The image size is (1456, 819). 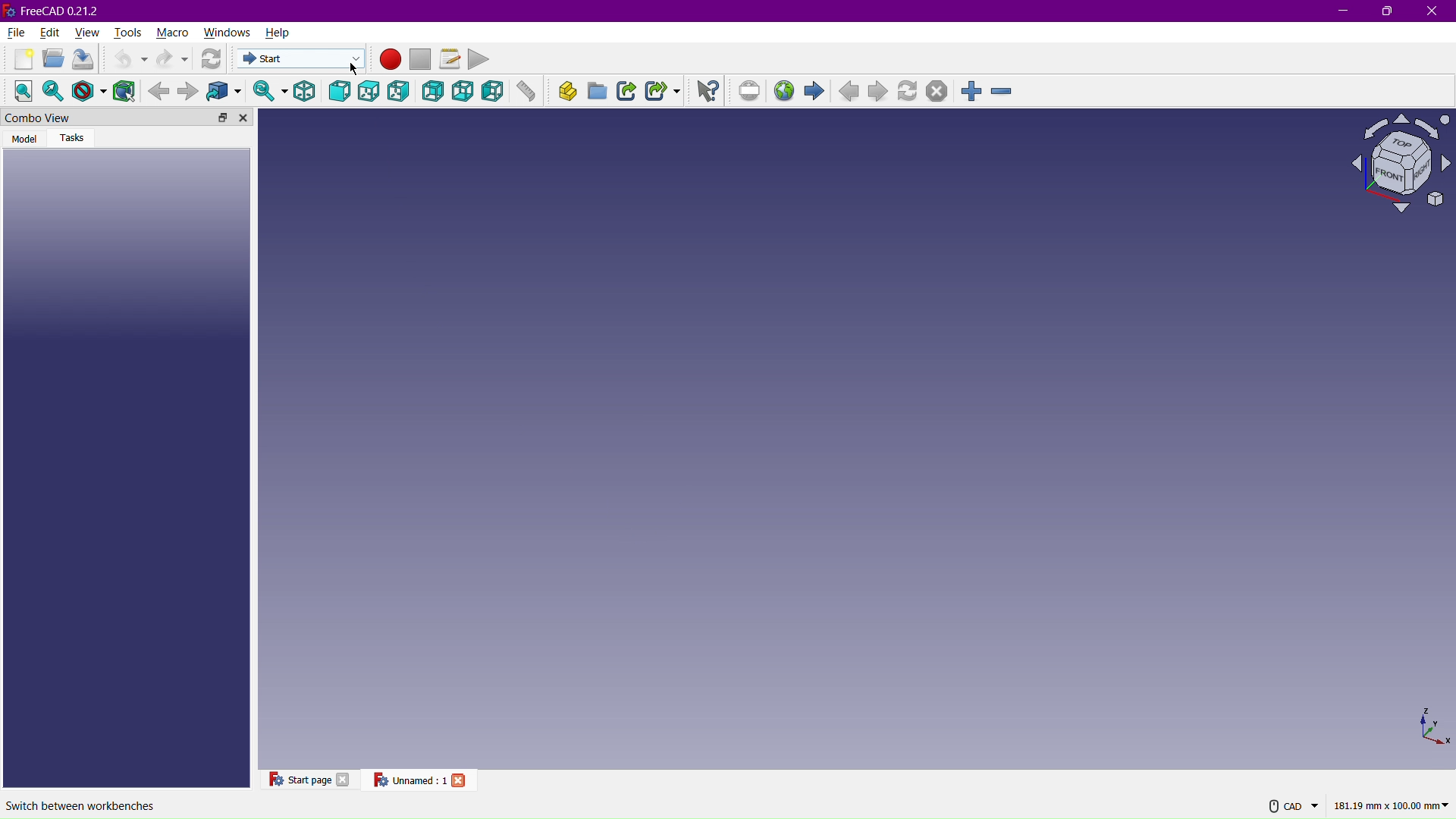 I want to click on Windows, so click(x=228, y=30).